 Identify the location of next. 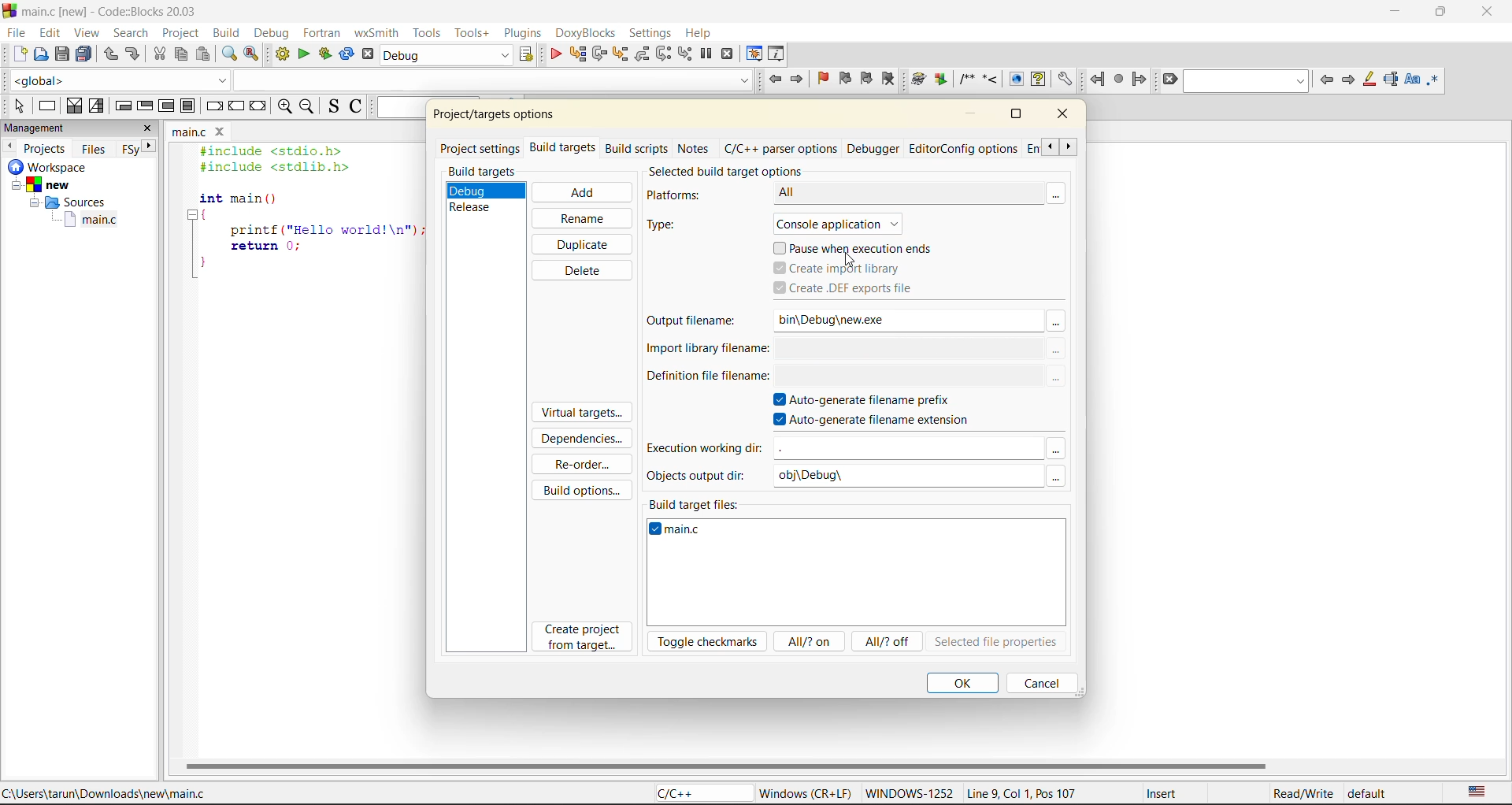
(1349, 80).